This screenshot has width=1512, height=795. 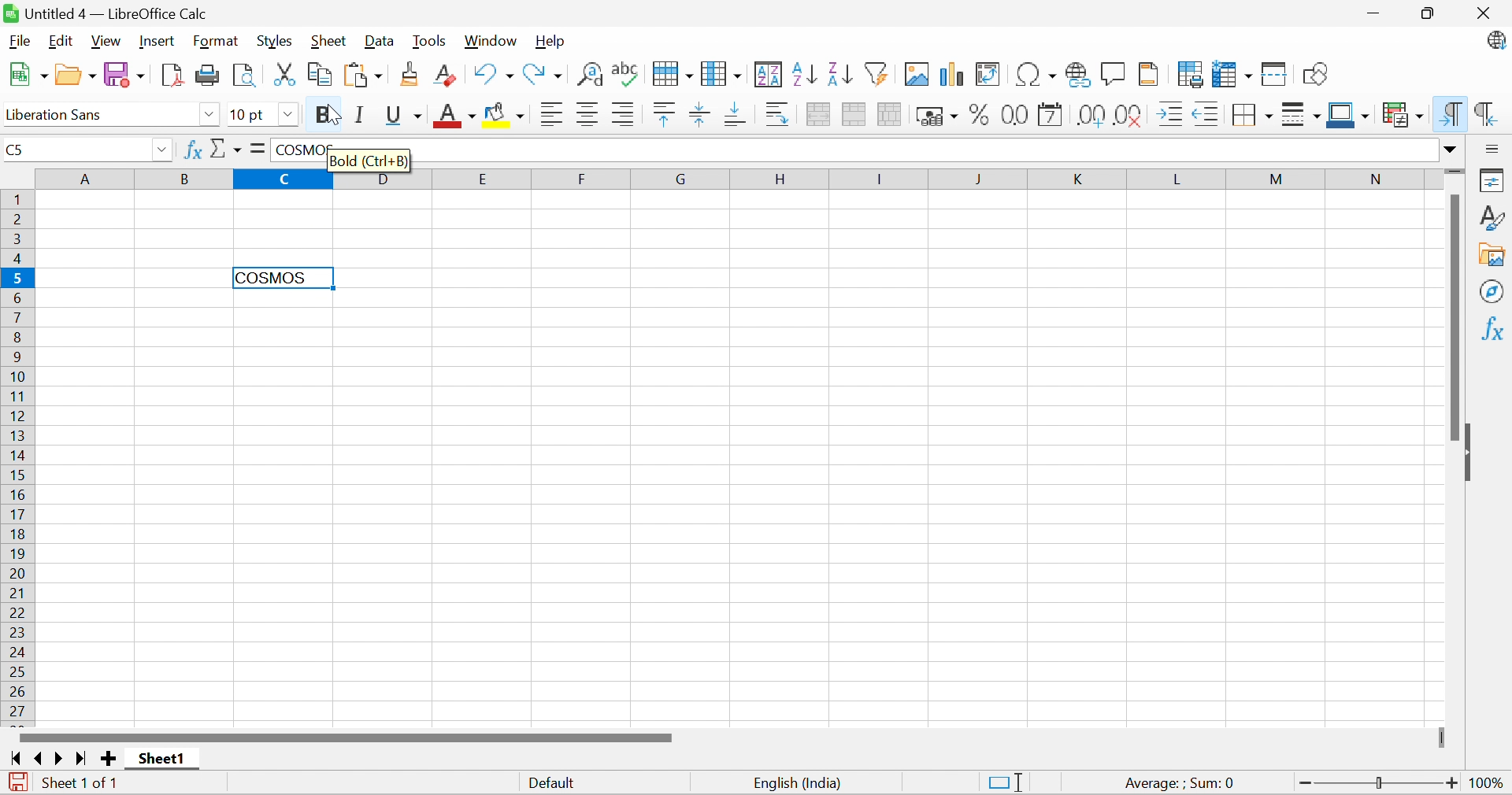 What do you see at coordinates (494, 74) in the screenshot?
I see `Undo` at bounding box center [494, 74].